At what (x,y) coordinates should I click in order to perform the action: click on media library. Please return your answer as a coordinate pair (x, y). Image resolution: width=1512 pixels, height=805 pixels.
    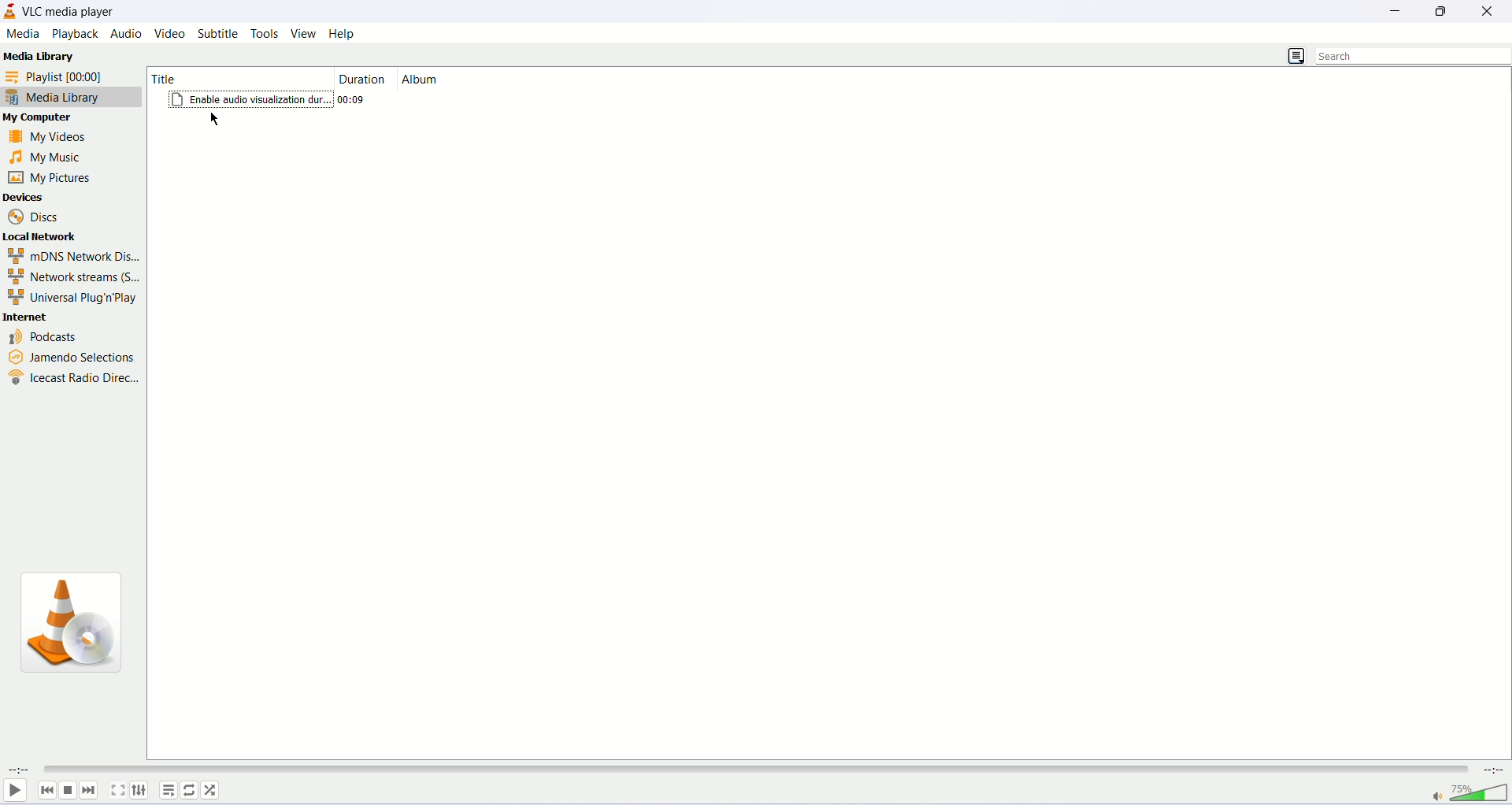
    Looking at the image, I should click on (72, 98).